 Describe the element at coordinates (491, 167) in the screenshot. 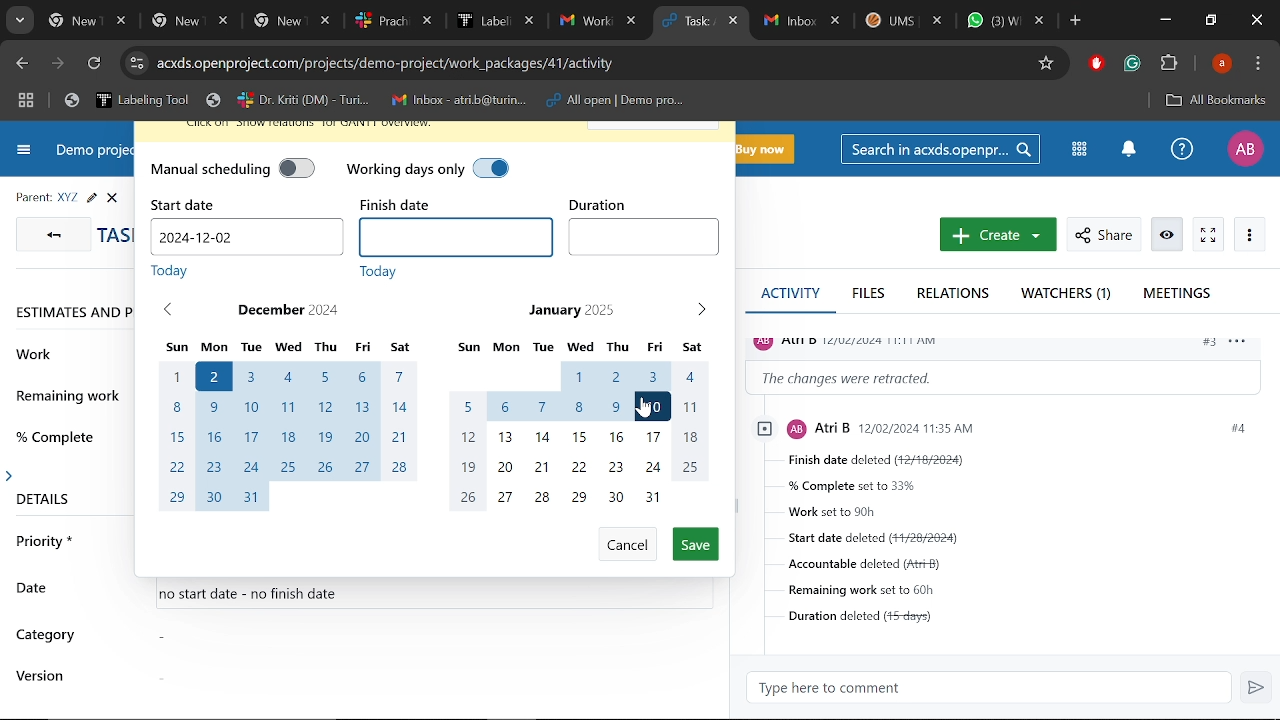

I see `working days only` at that location.